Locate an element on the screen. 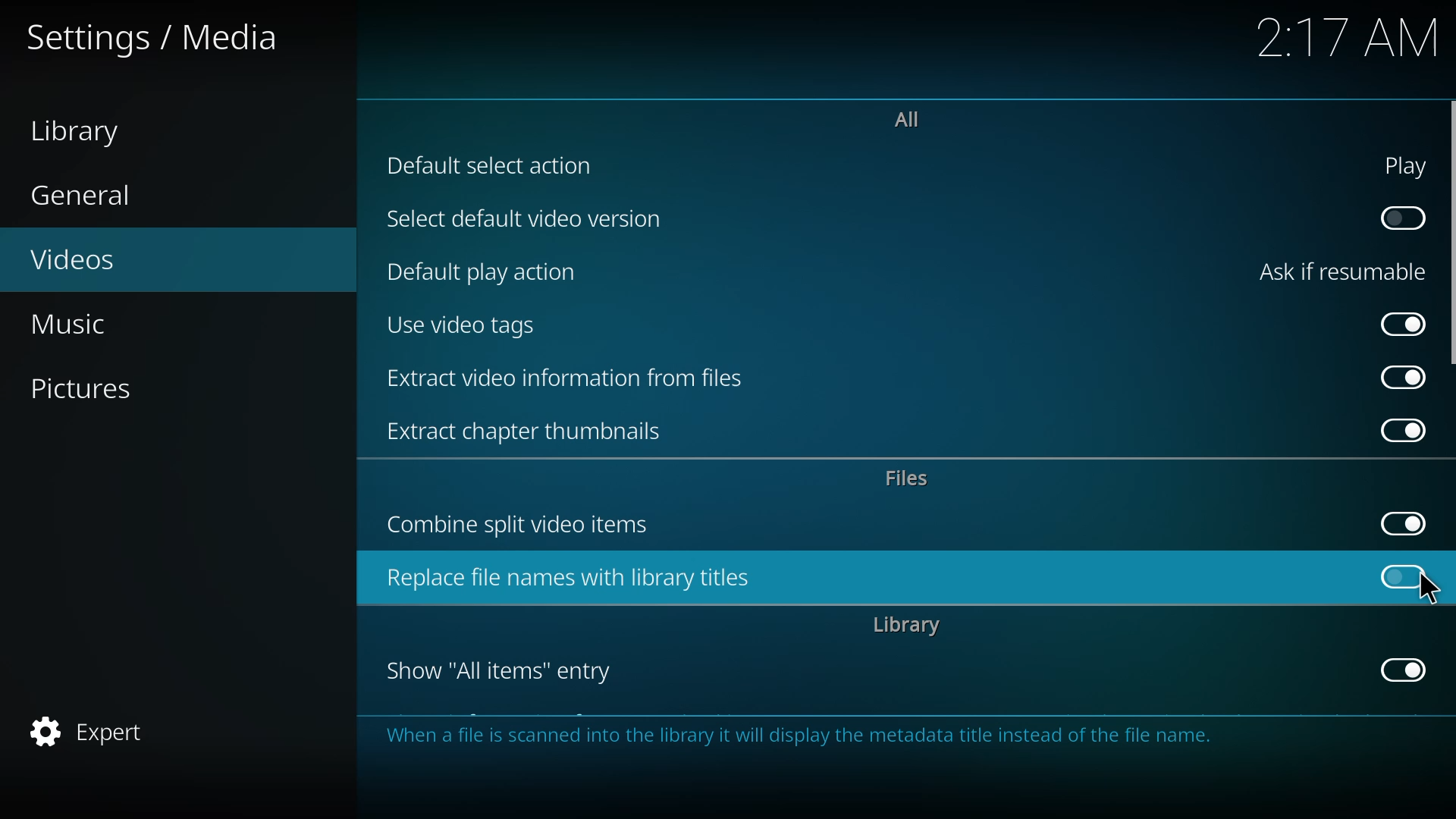  select default video version is located at coordinates (521, 222).